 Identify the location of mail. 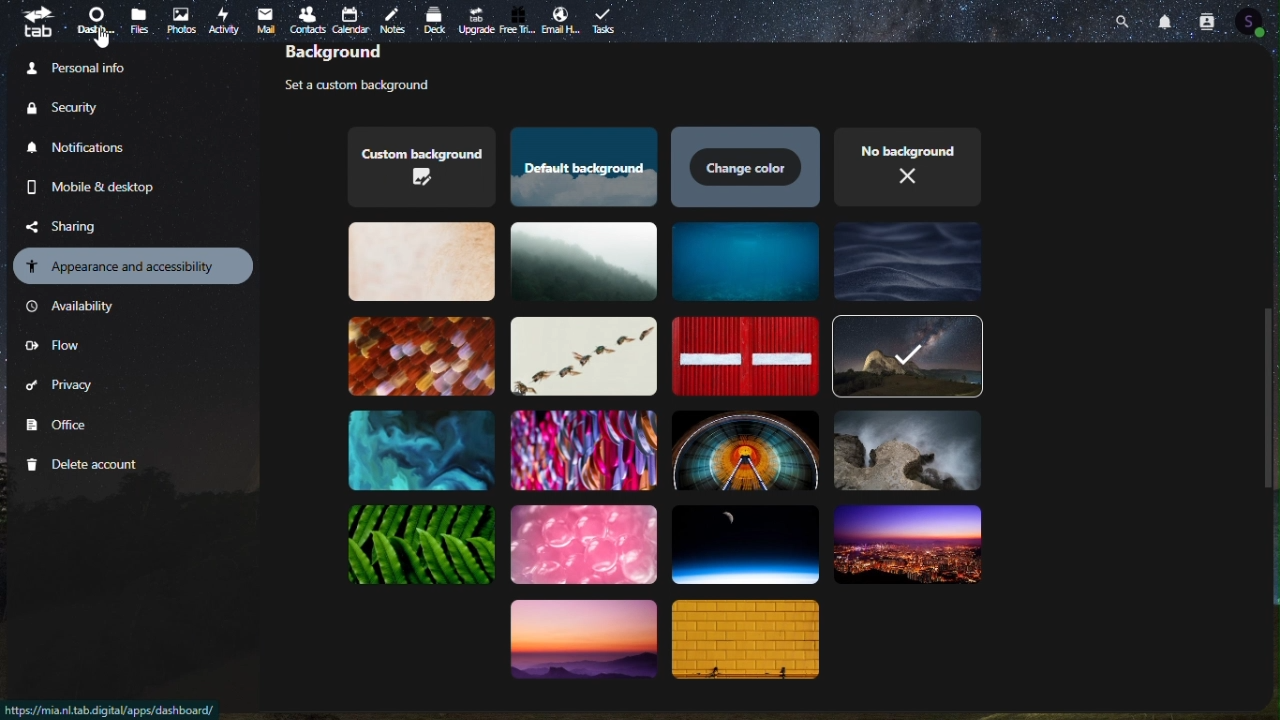
(265, 20).